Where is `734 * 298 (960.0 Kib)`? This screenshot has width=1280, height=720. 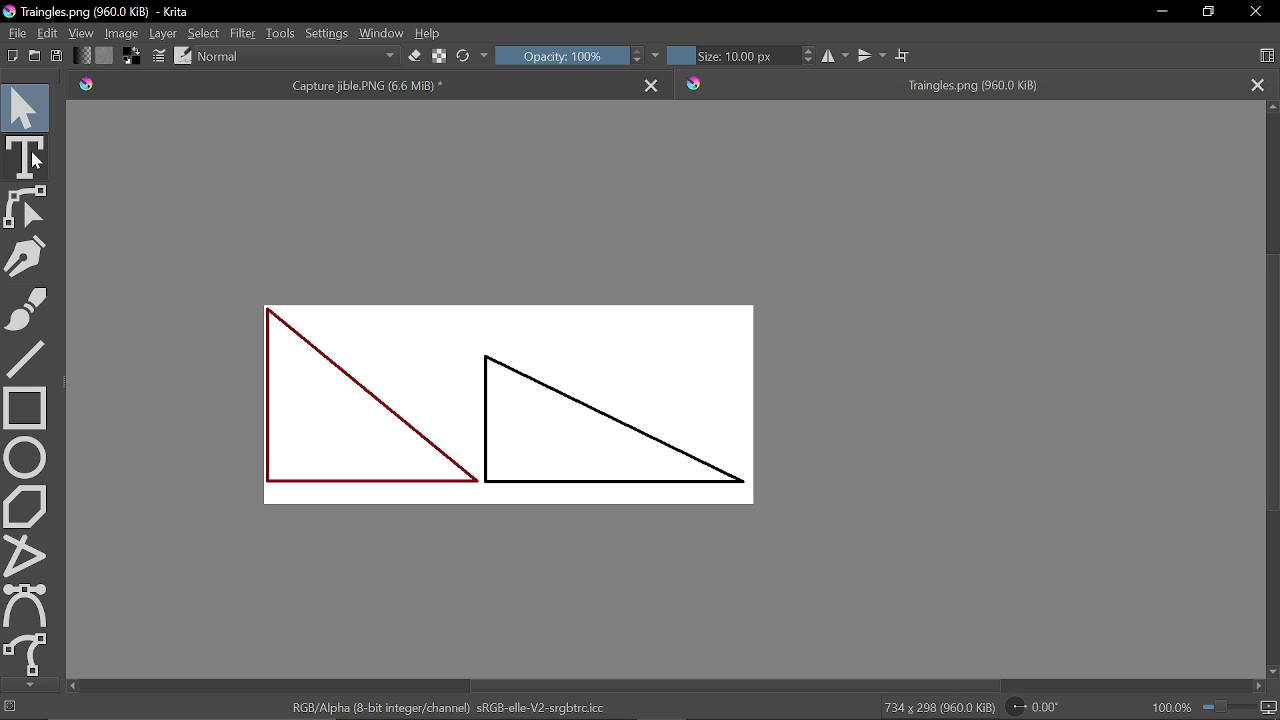 734 * 298 (960.0 Kib) is located at coordinates (939, 709).